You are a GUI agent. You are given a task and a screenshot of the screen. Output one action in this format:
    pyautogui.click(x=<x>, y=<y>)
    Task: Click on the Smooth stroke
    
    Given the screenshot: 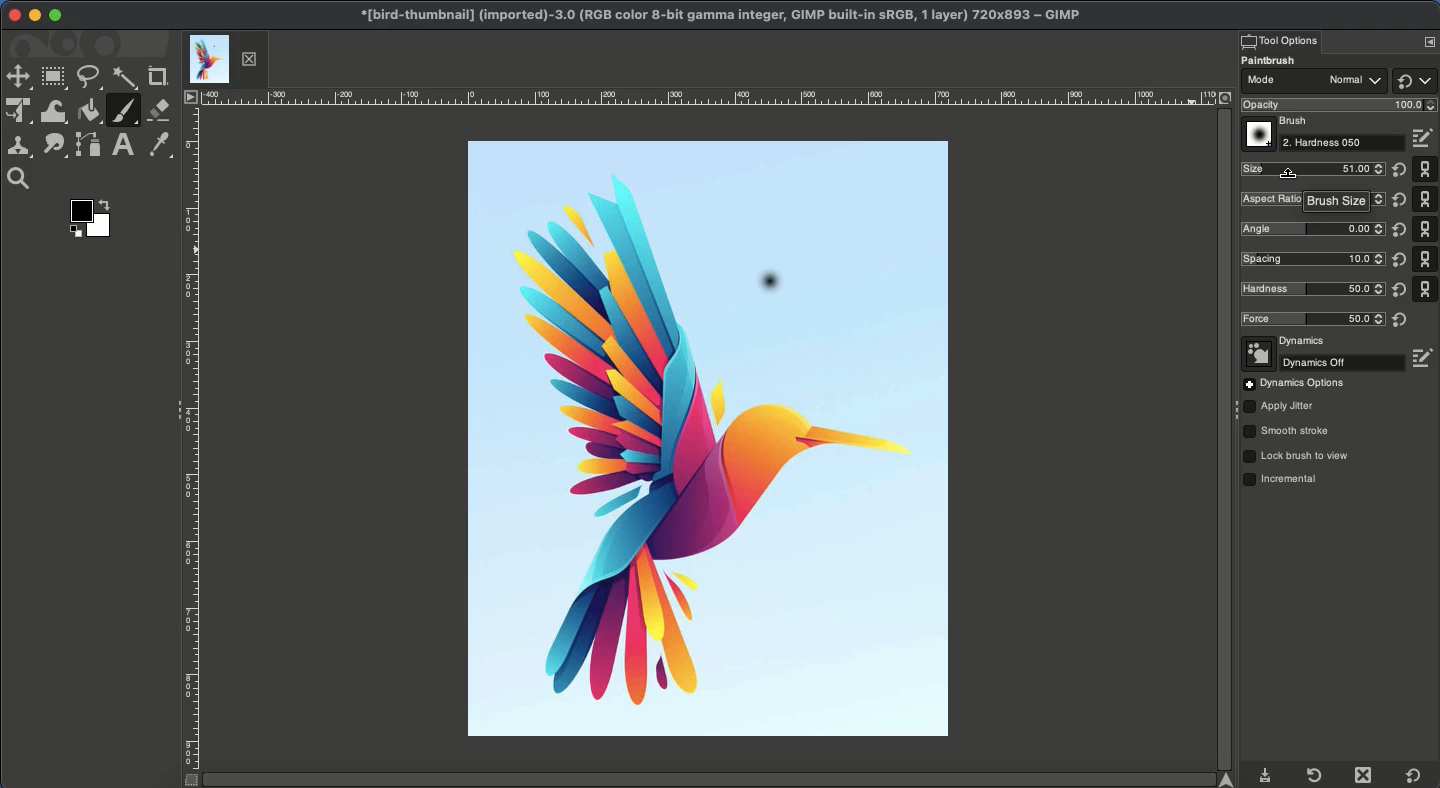 What is the action you would take?
    pyautogui.click(x=1287, y=432)
    